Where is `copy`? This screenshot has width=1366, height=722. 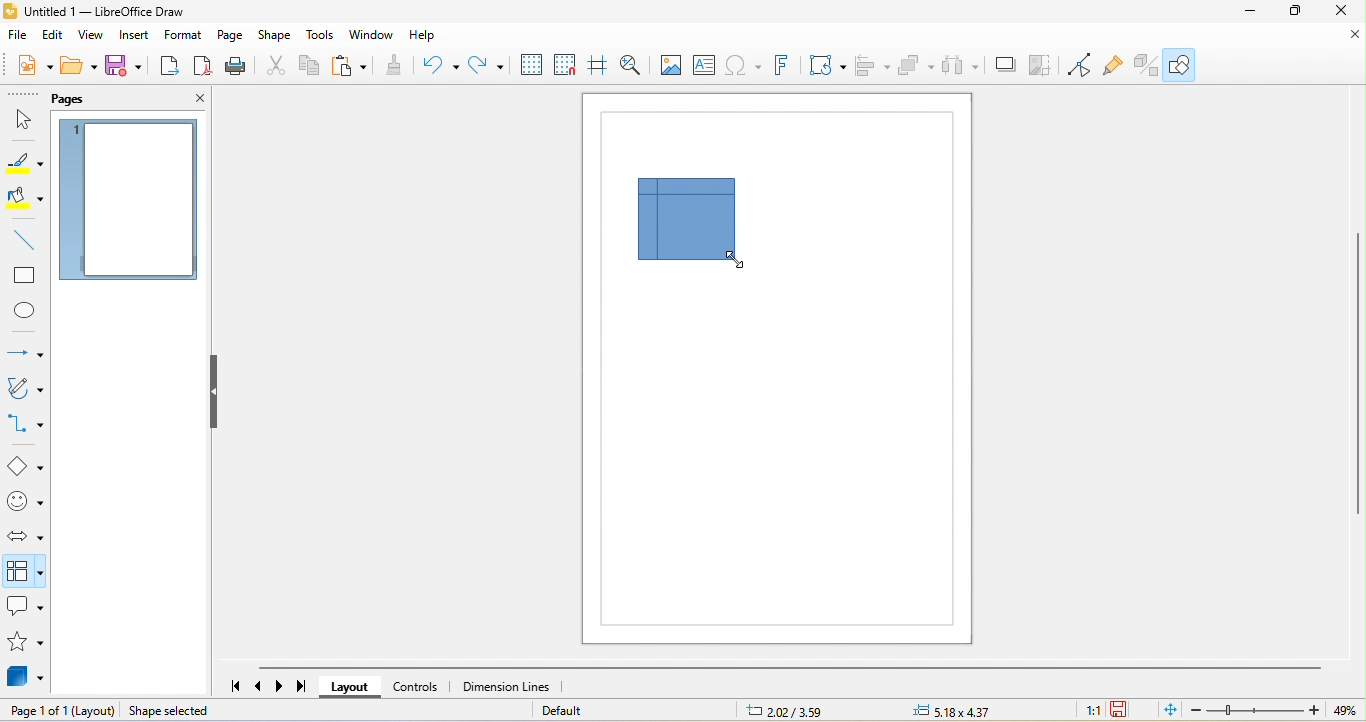
copy is located at coordinates (310, 68).